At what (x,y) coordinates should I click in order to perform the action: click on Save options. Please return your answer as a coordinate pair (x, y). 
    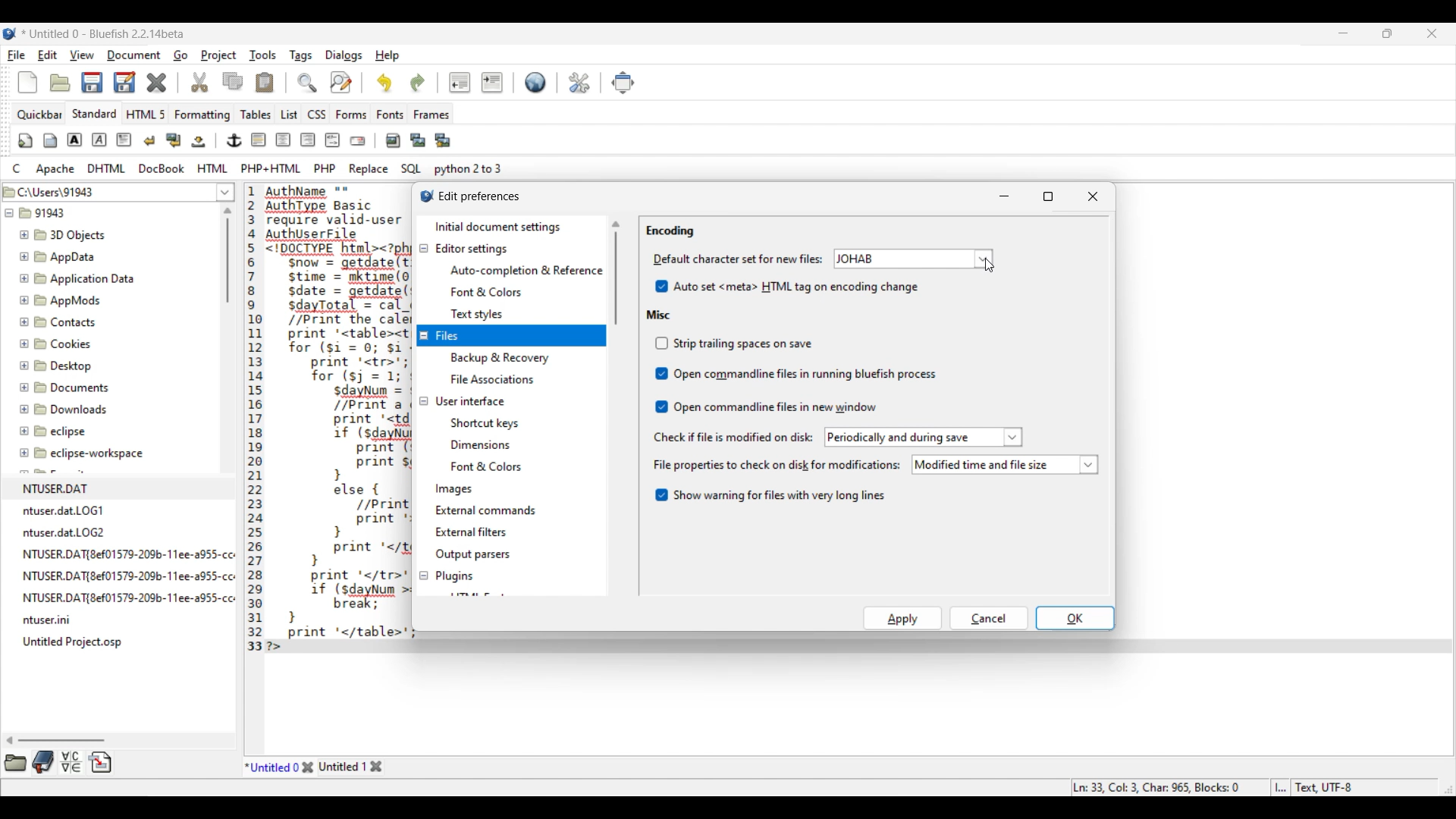
    Looking at the image, I should click on (109, 82).